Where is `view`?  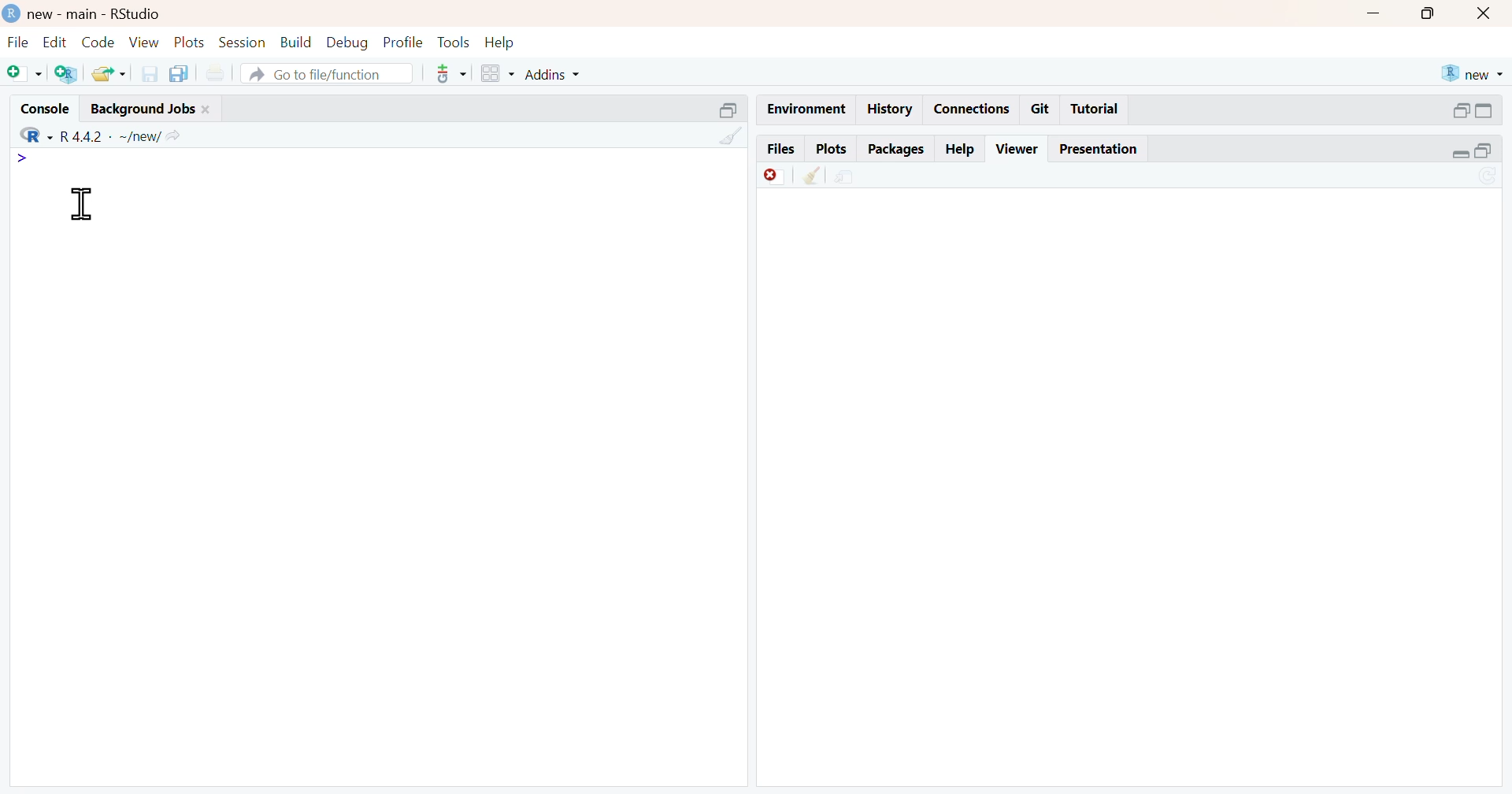
view is located at coordinates (145, 43).